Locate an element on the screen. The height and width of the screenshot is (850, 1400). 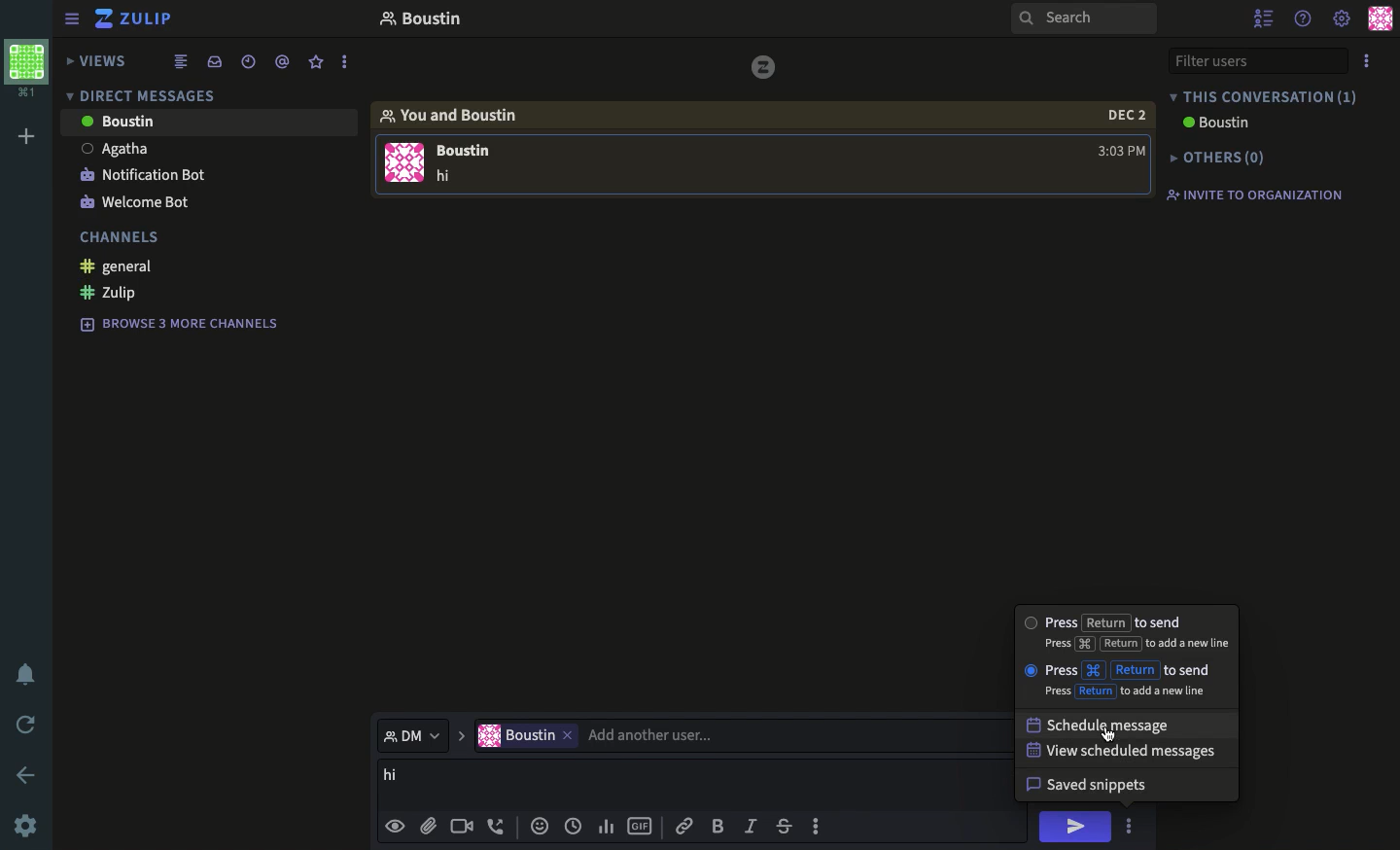
add workspace is located at coordinates (27, 133).